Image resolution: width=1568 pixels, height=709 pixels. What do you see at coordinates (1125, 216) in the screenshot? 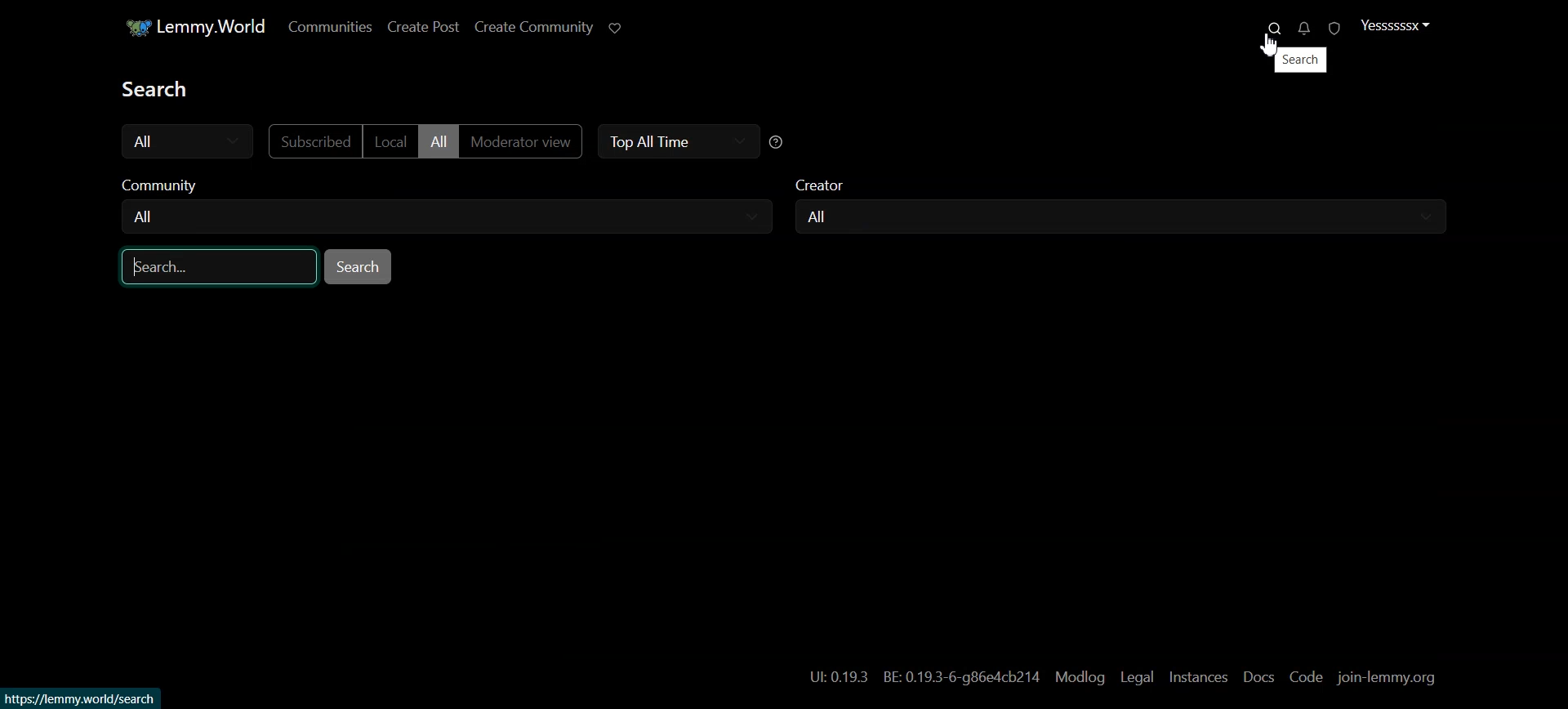
I see `Creator` at bounding box center [1125, 216].